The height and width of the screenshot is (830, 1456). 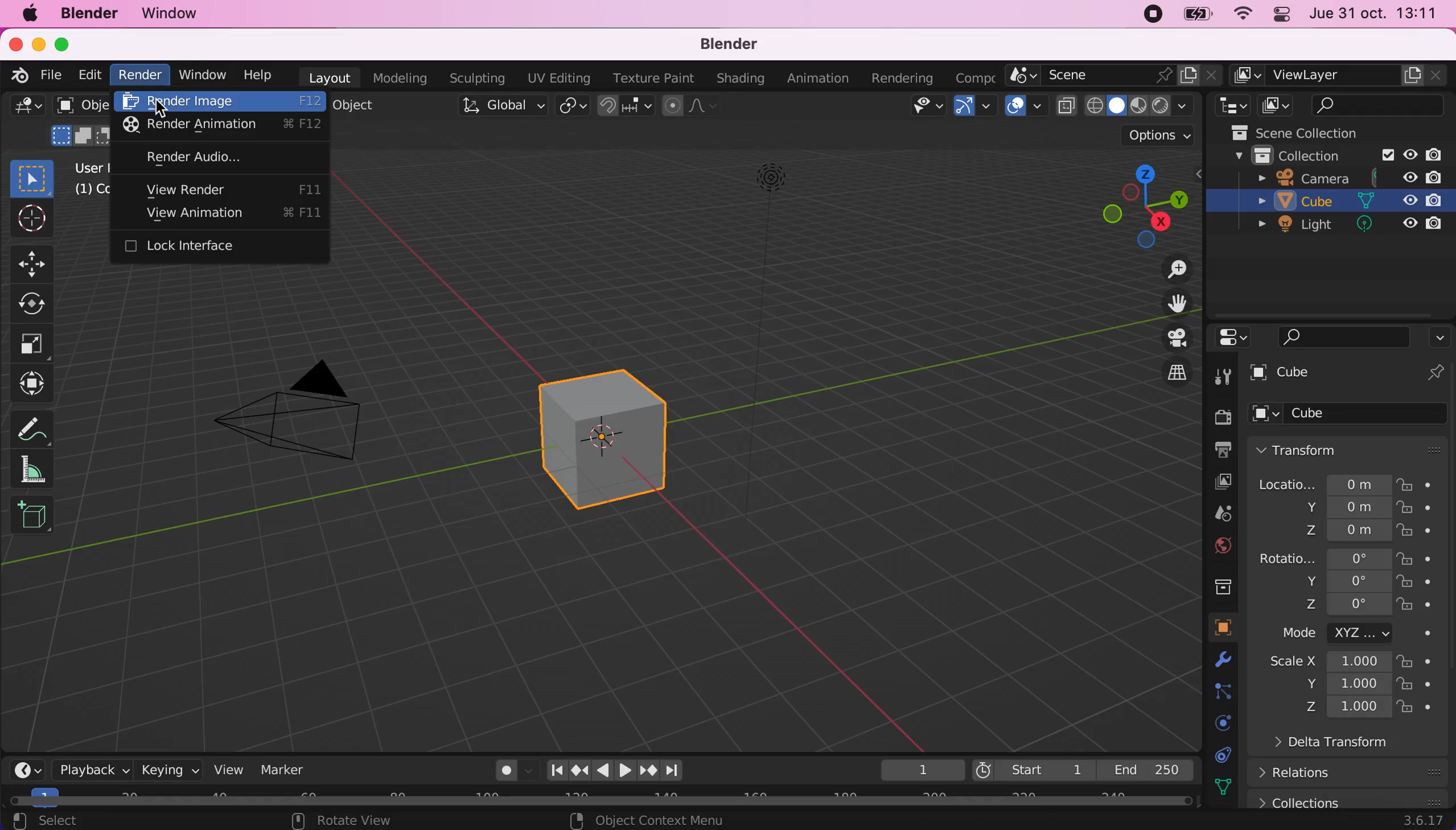 What do you see at coordinates (1033, 770) in the screenshot?
I see `start 1` at bounding box center [1033, 770].